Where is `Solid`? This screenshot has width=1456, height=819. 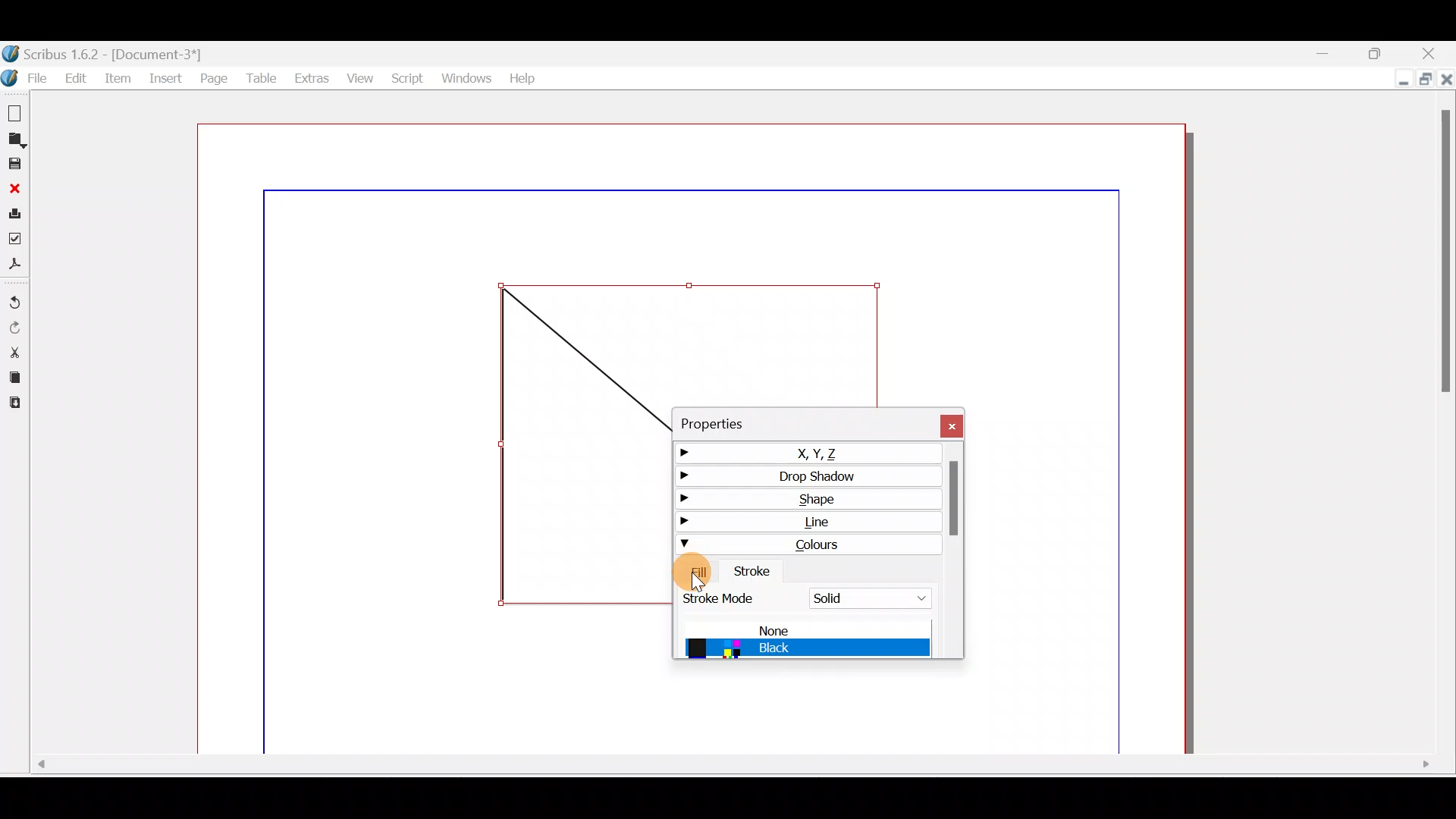
Solid is located at coordinates (873, 598).